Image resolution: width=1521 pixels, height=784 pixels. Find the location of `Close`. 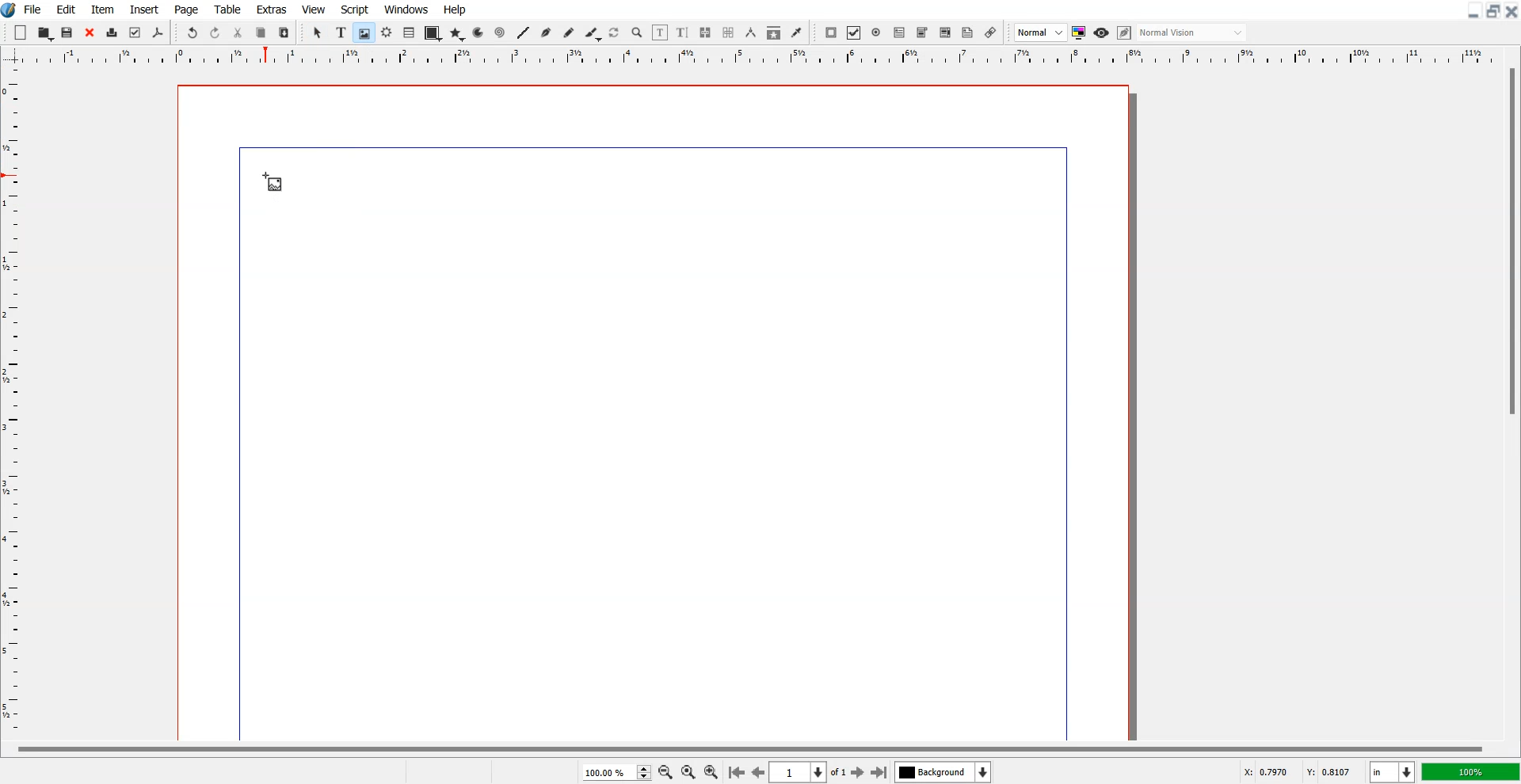

Close is located at coordinates (1511, 11).